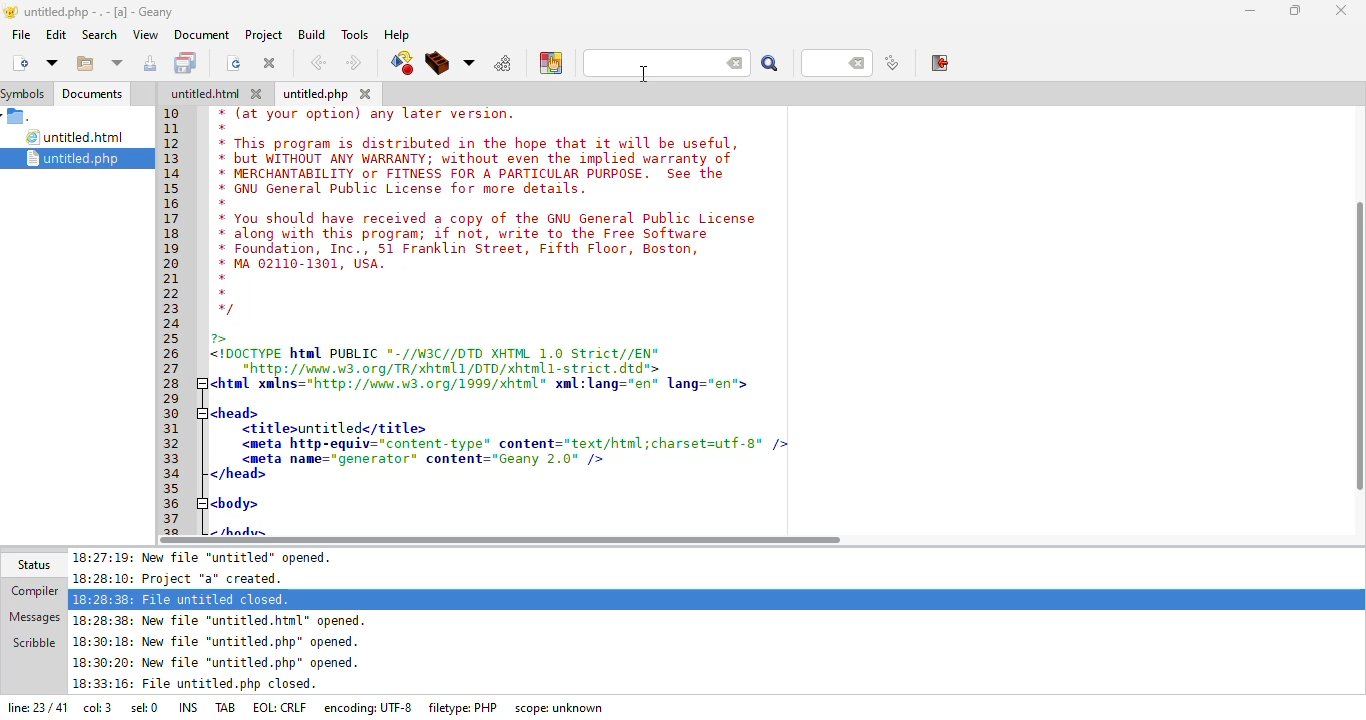 This screenshot has width=1366, height=720. I want to click on * MERCHANTABILITY or FITNESS FOR A PARTICULAR PURPOSE.  See the, so click(478, 175).